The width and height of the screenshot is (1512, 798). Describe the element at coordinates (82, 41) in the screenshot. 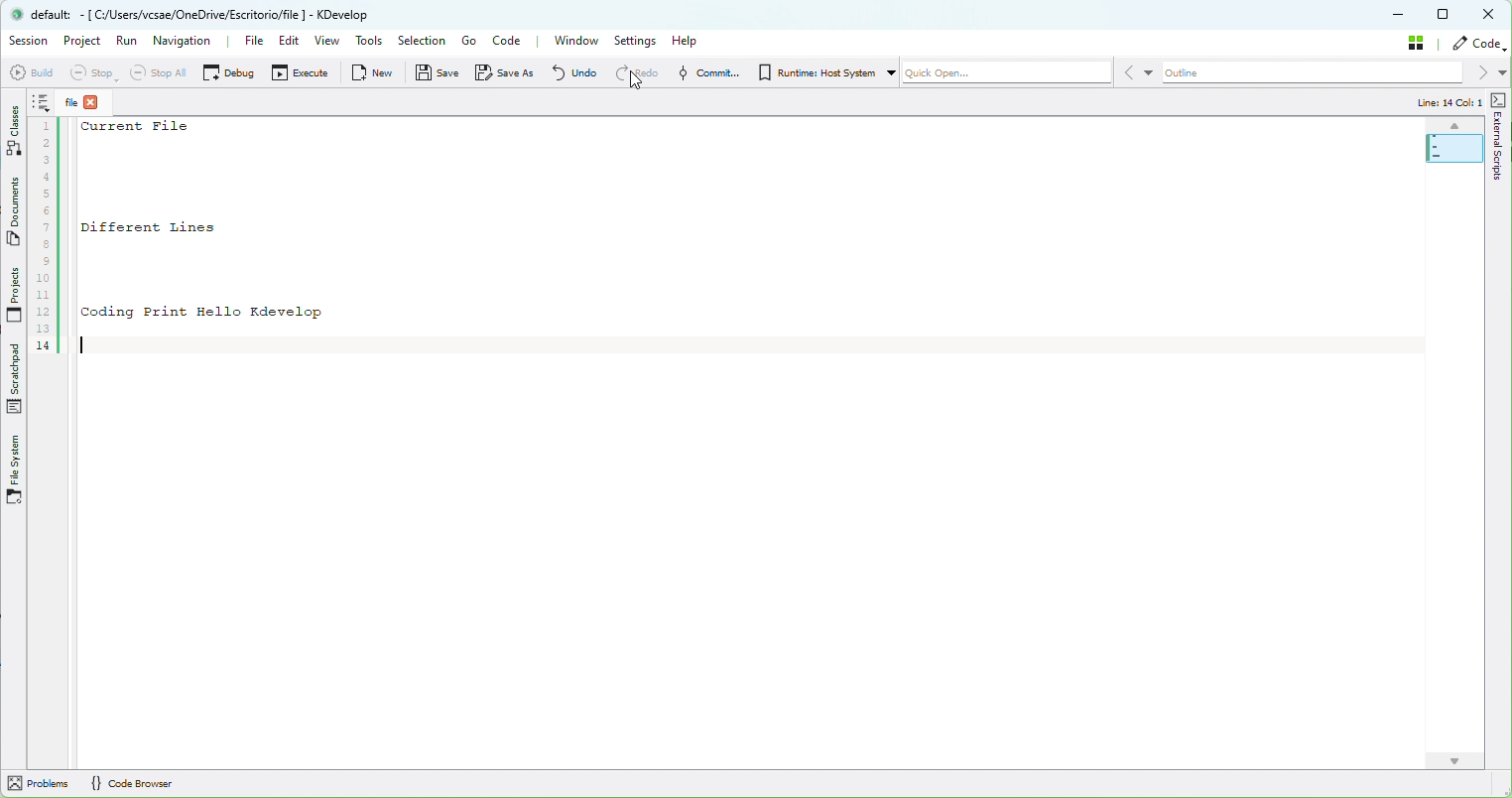

I see `Project` at that location.